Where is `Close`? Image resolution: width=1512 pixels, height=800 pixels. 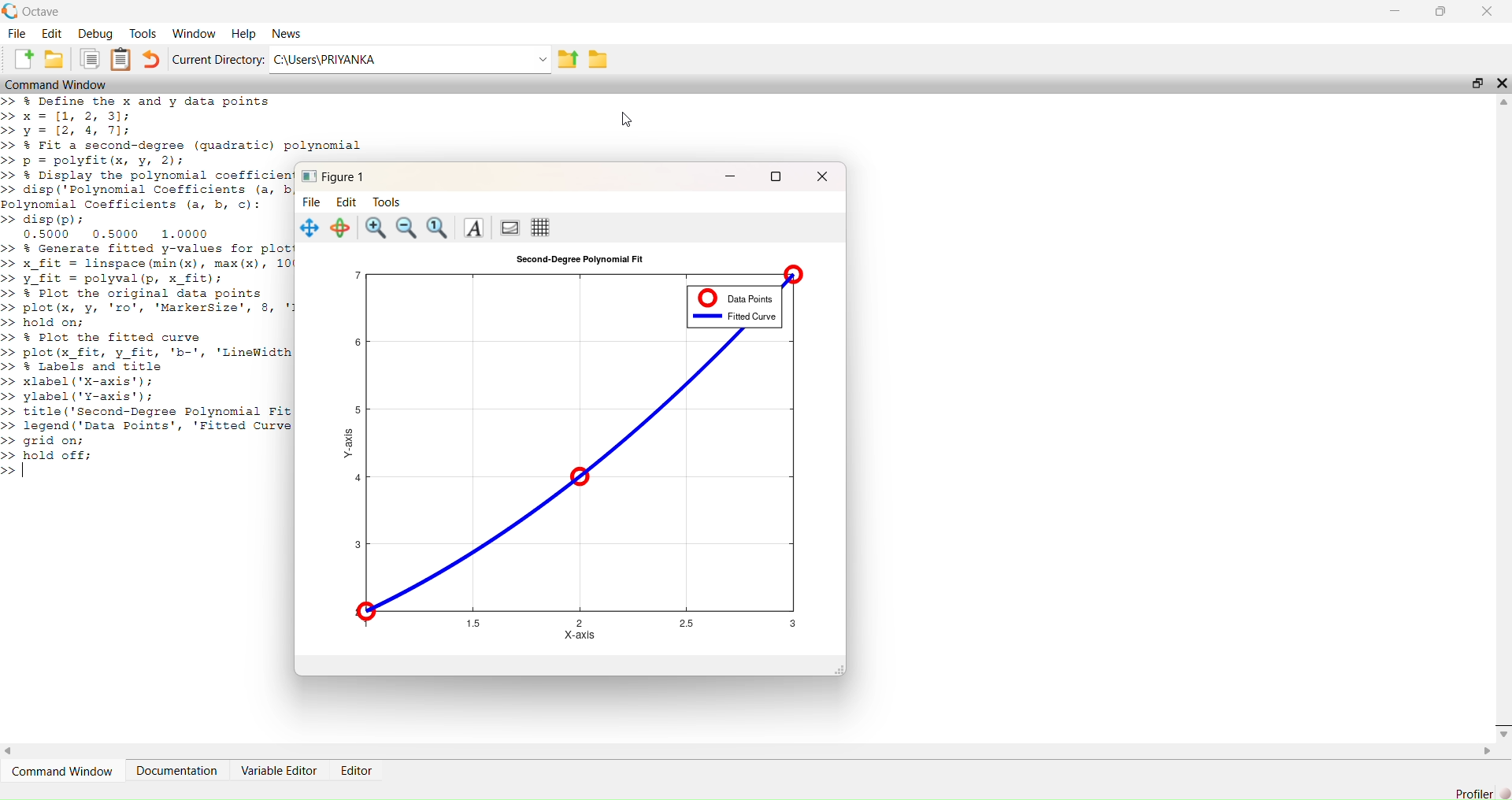
Close is located at coordinates (1503, 82).